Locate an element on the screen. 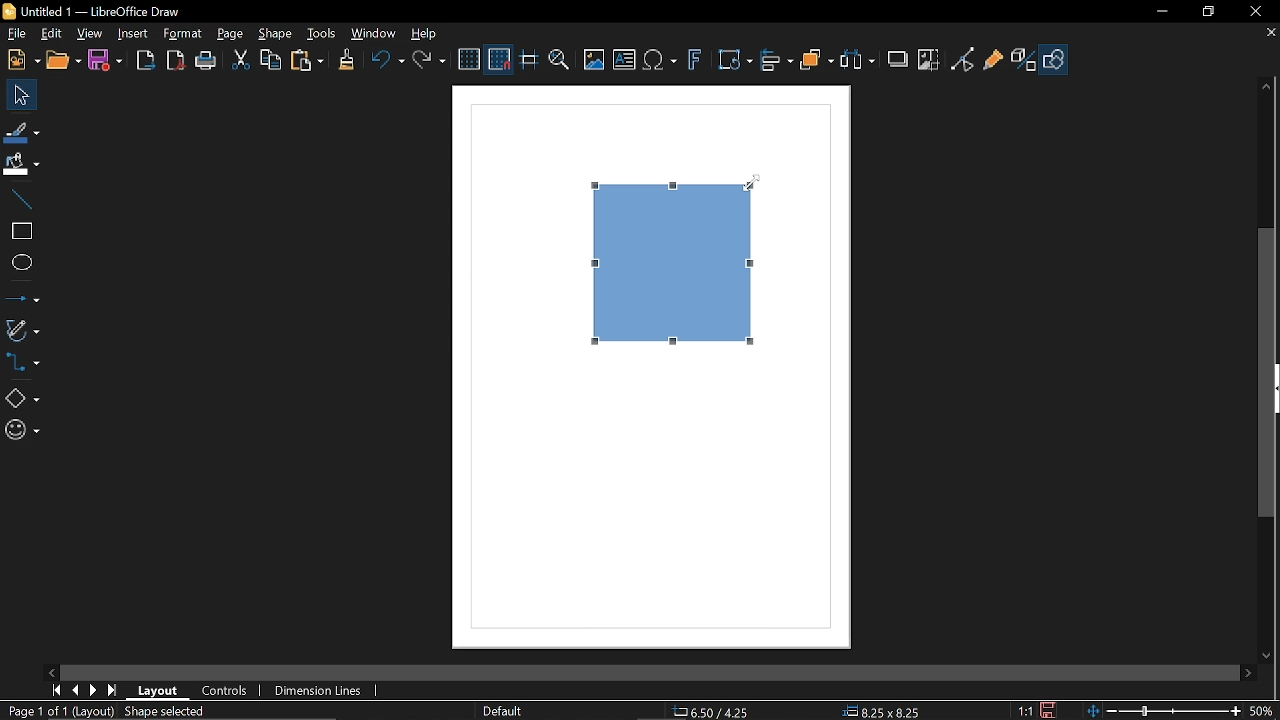 The height and width of the screenshot is (720, 1280). Line color is located at coordinates (21, 129).